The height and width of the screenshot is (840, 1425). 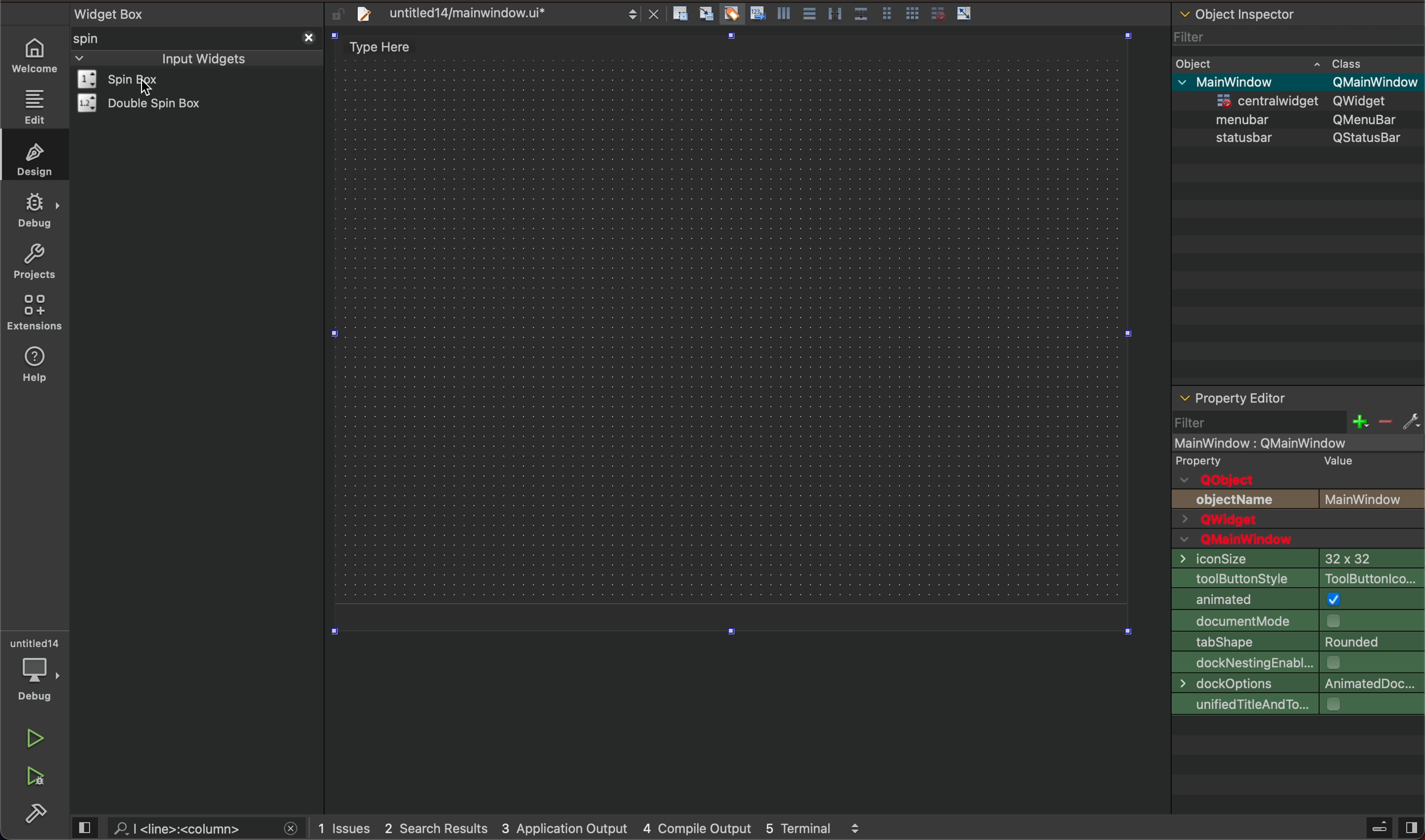 What do you see at coordinates (35, 313) in the screenshot?
I see `extension` at bounding box center [35, 313].